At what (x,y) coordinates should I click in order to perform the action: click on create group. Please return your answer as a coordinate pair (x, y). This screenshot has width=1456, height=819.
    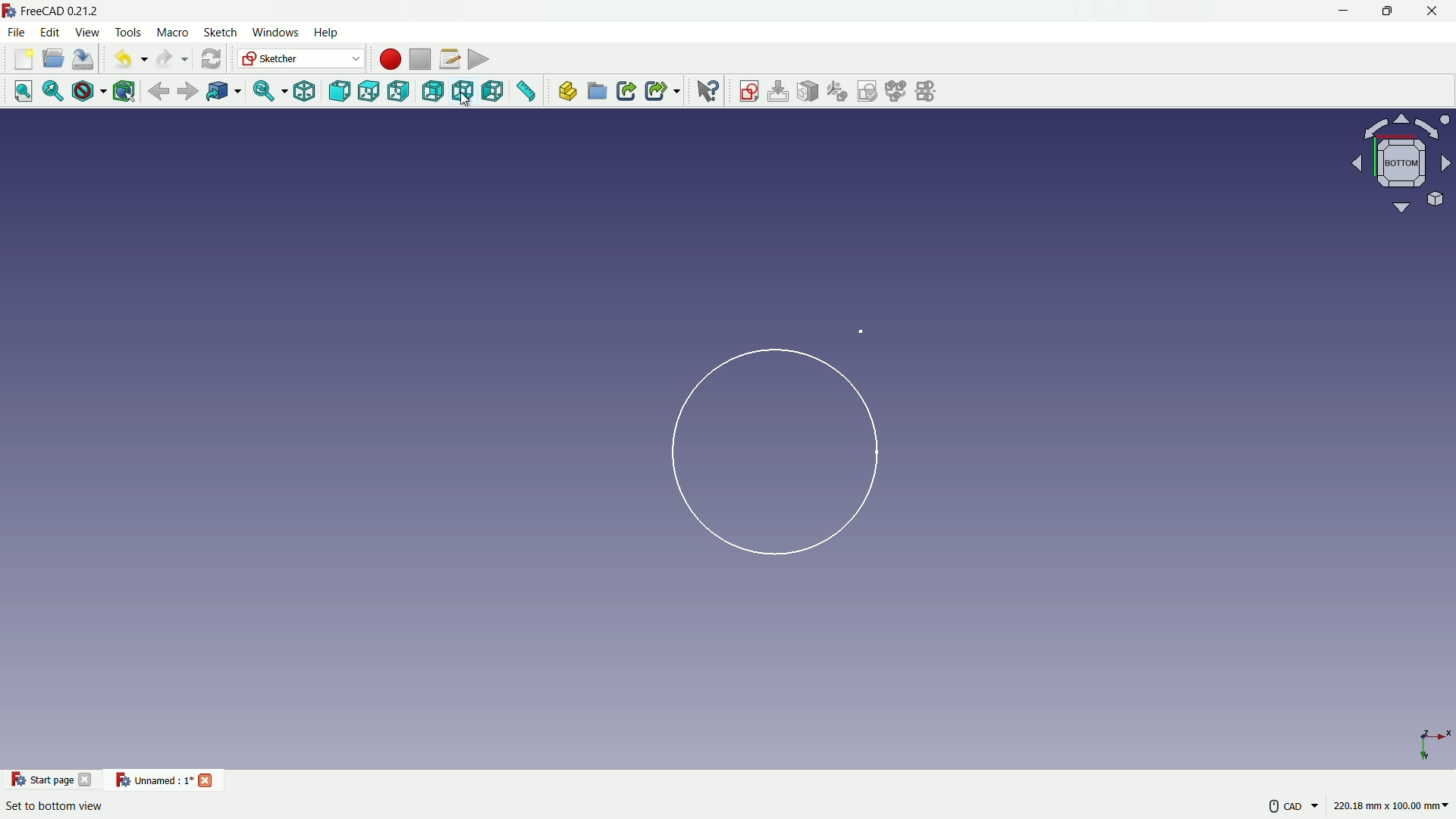
    Looking at the image, I should click on (598, 93).